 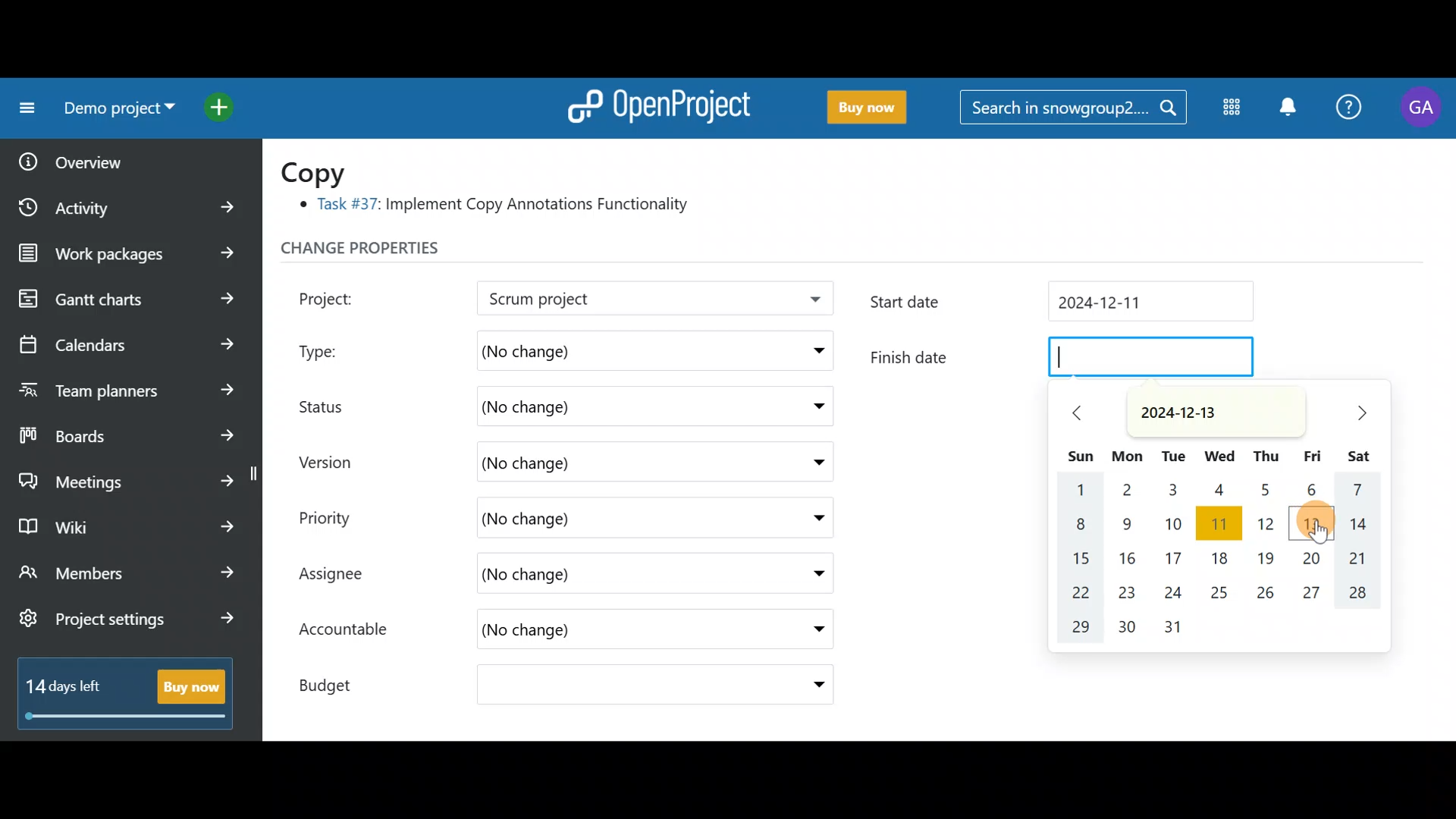 What do you see at coordinates (223, 104) in the screenshot?
I see `Open quick add menu` at bounding box center [223, 104].